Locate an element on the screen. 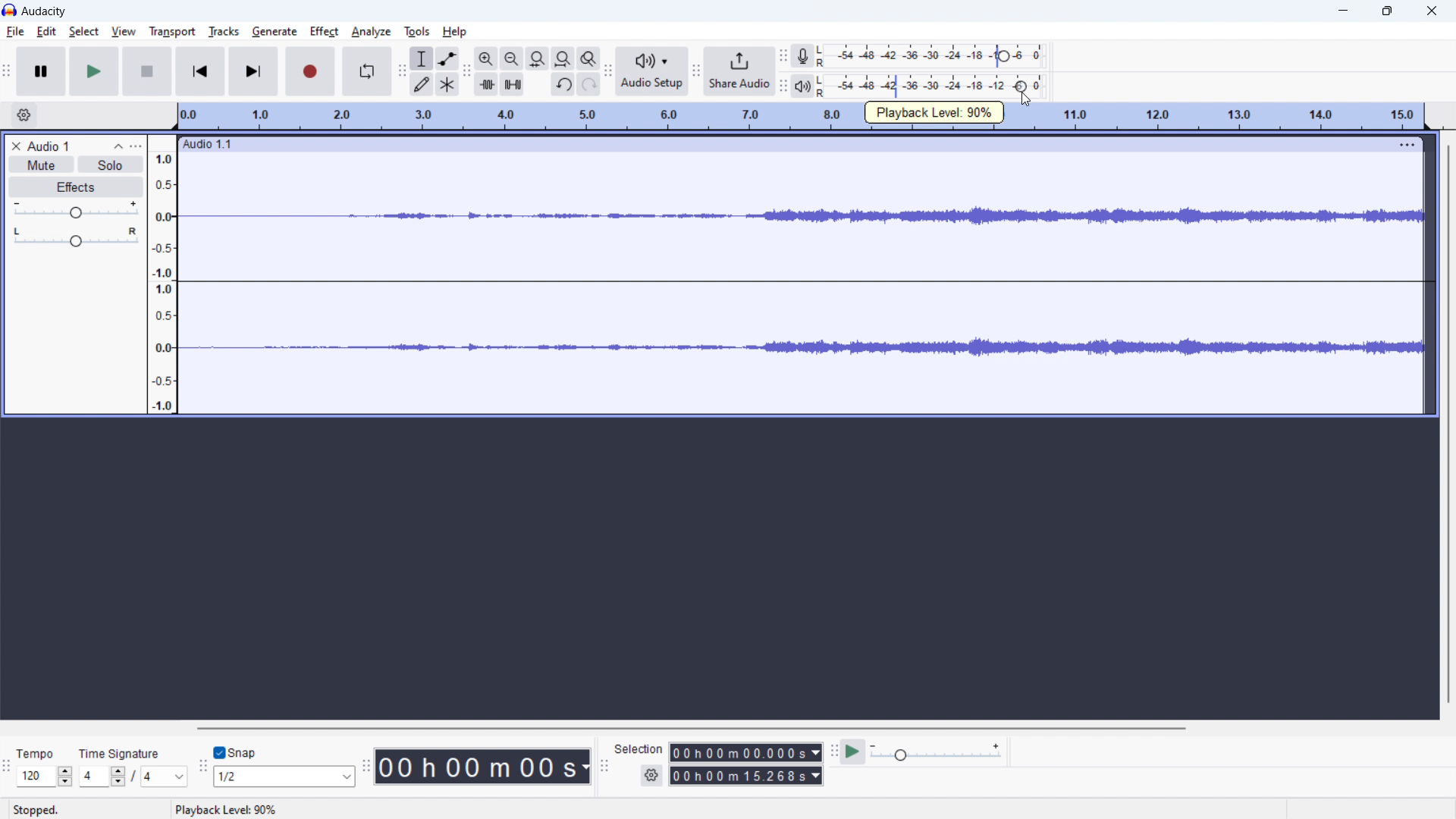 This screenshot has width=1456, height=819. delete audio is located at coordinates (15, 146).